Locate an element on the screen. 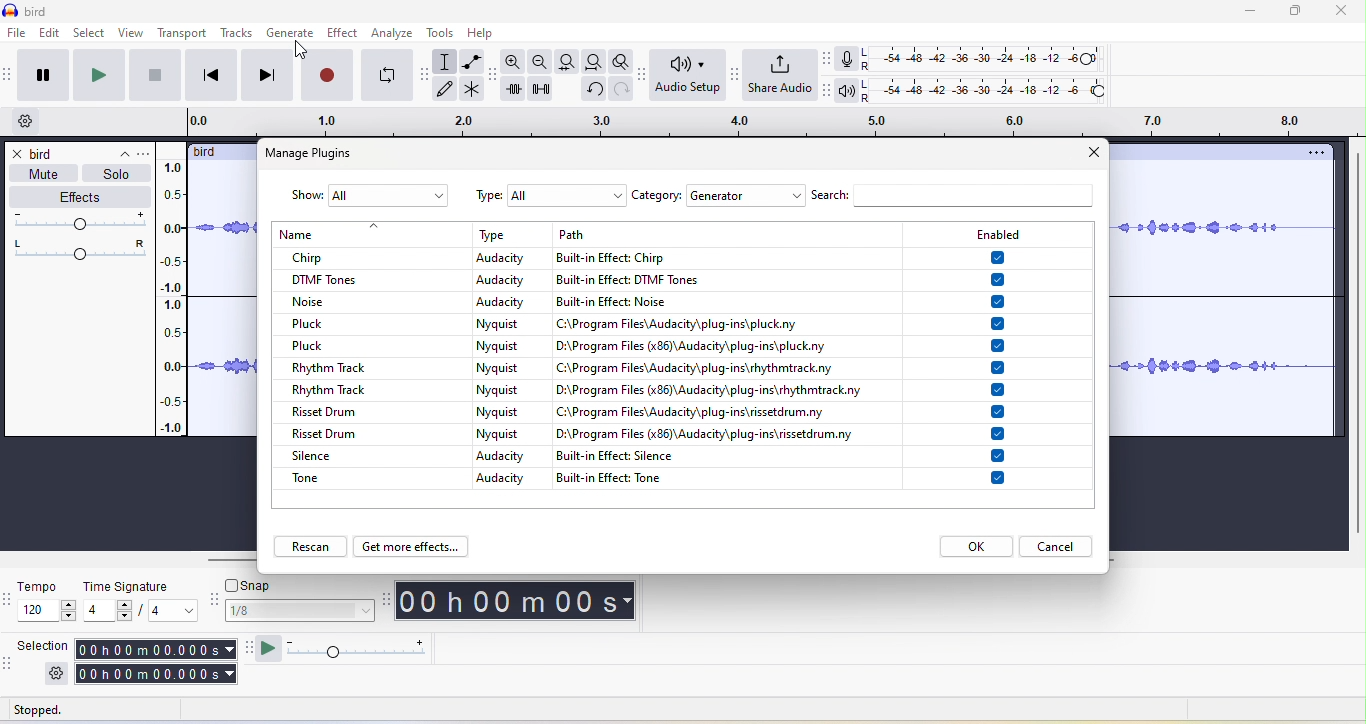 The image size is (1366, 724). undo is located at coordinates (592, 89).